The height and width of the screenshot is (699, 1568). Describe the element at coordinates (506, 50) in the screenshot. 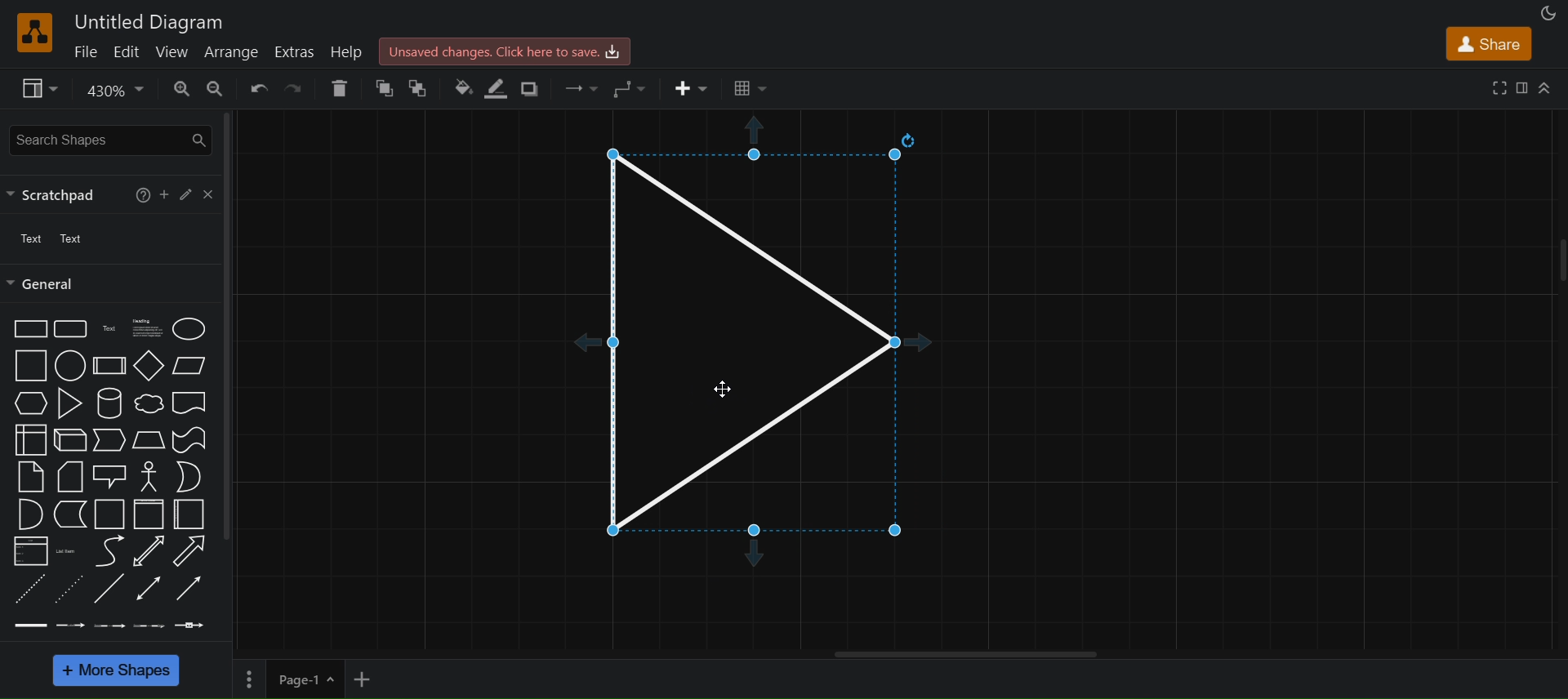

I see `Unsaved changes. click here to save.` at that location.